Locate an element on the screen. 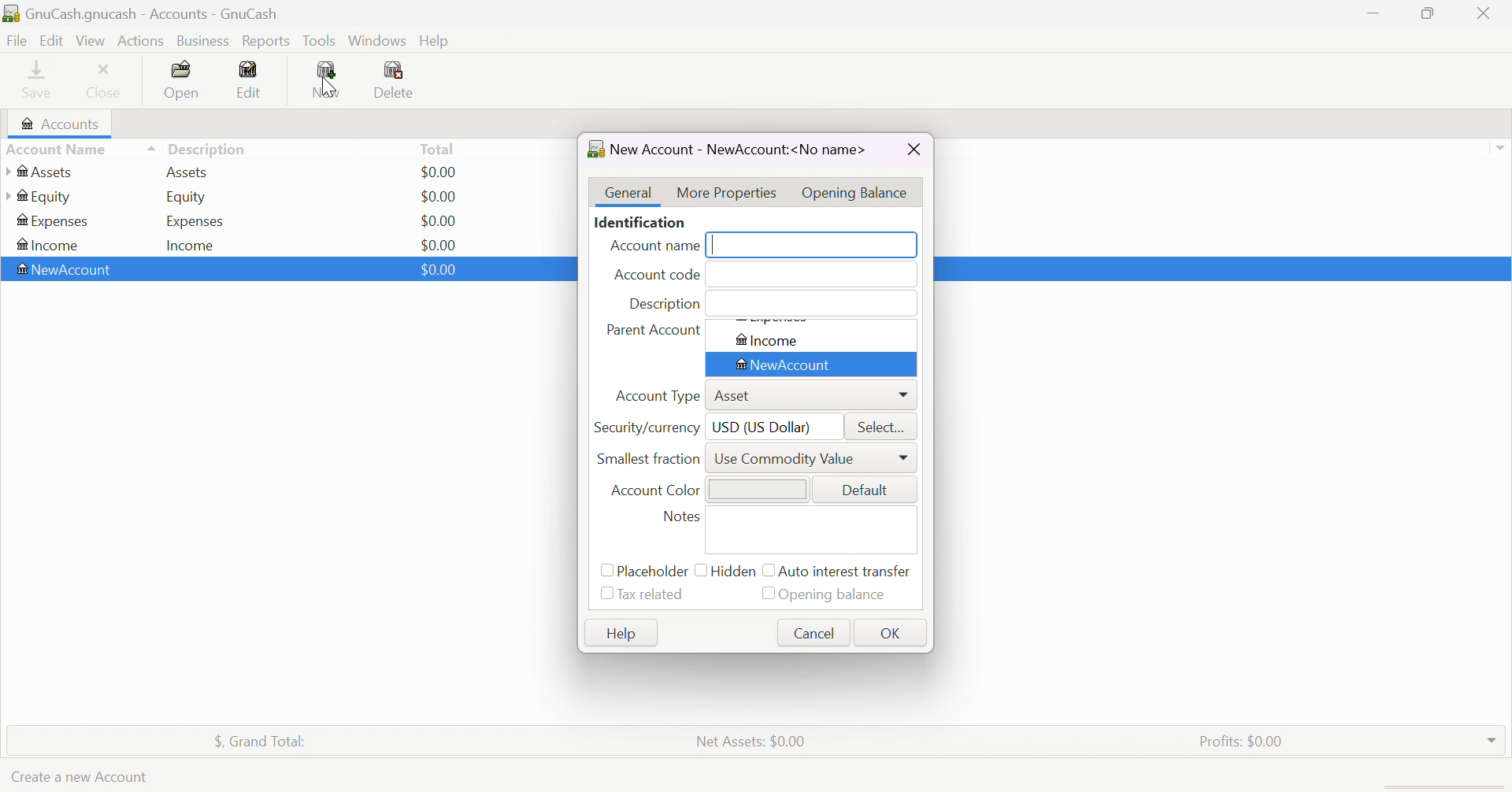 This screenshot has height=792, width=1512. DropDown is located at coordinates (903, 457).